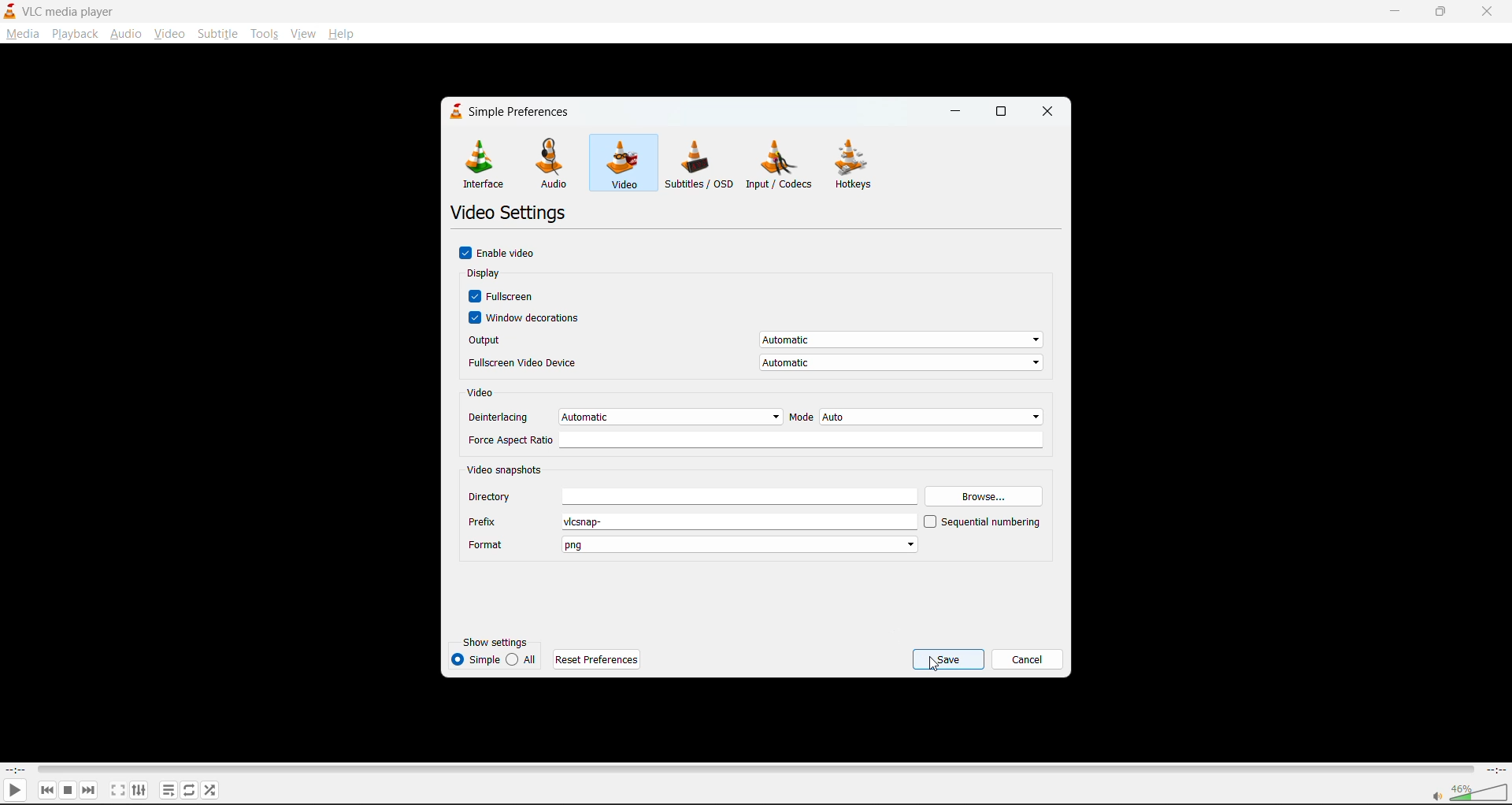  Describe the element at coordinates (339, 35) in the screenshot. I see `help` at that location.